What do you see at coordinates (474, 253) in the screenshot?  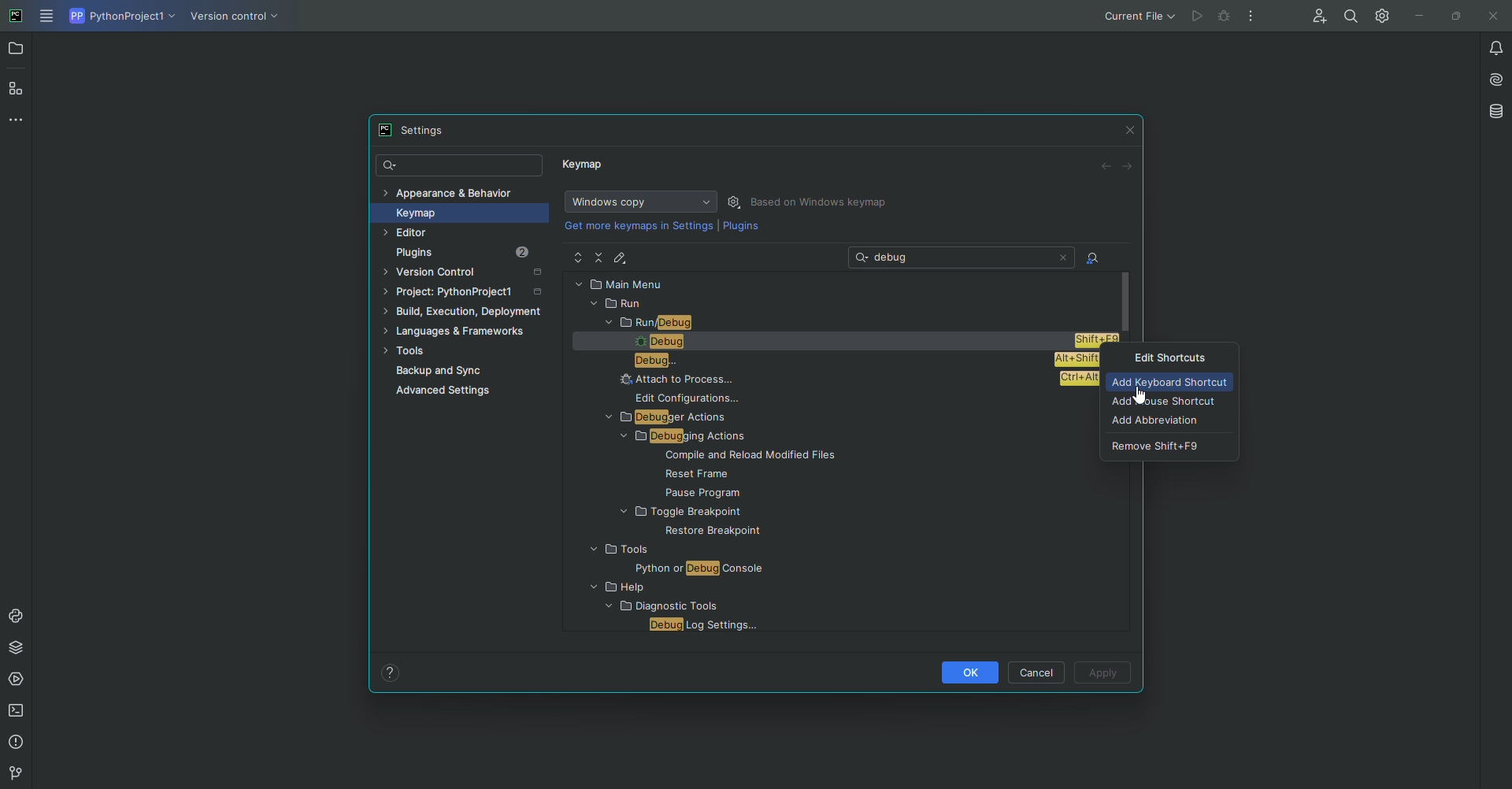 I see `Plugins` at bounding box center [474, 253].